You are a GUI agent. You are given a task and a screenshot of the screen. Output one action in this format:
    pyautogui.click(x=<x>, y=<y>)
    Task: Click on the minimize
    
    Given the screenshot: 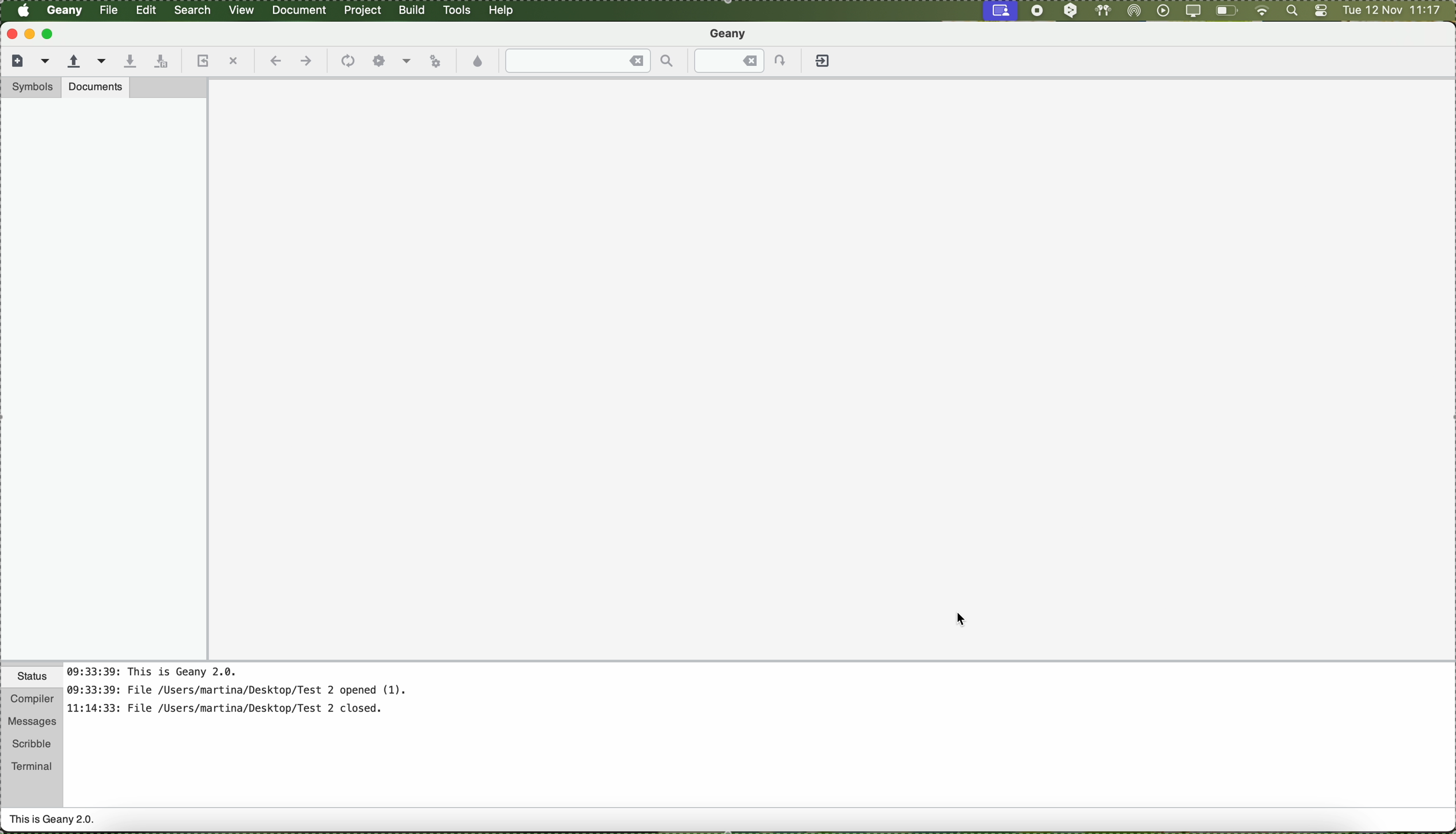 What is the action you would take?
    pyautogui.click(x=30, y=34)
    